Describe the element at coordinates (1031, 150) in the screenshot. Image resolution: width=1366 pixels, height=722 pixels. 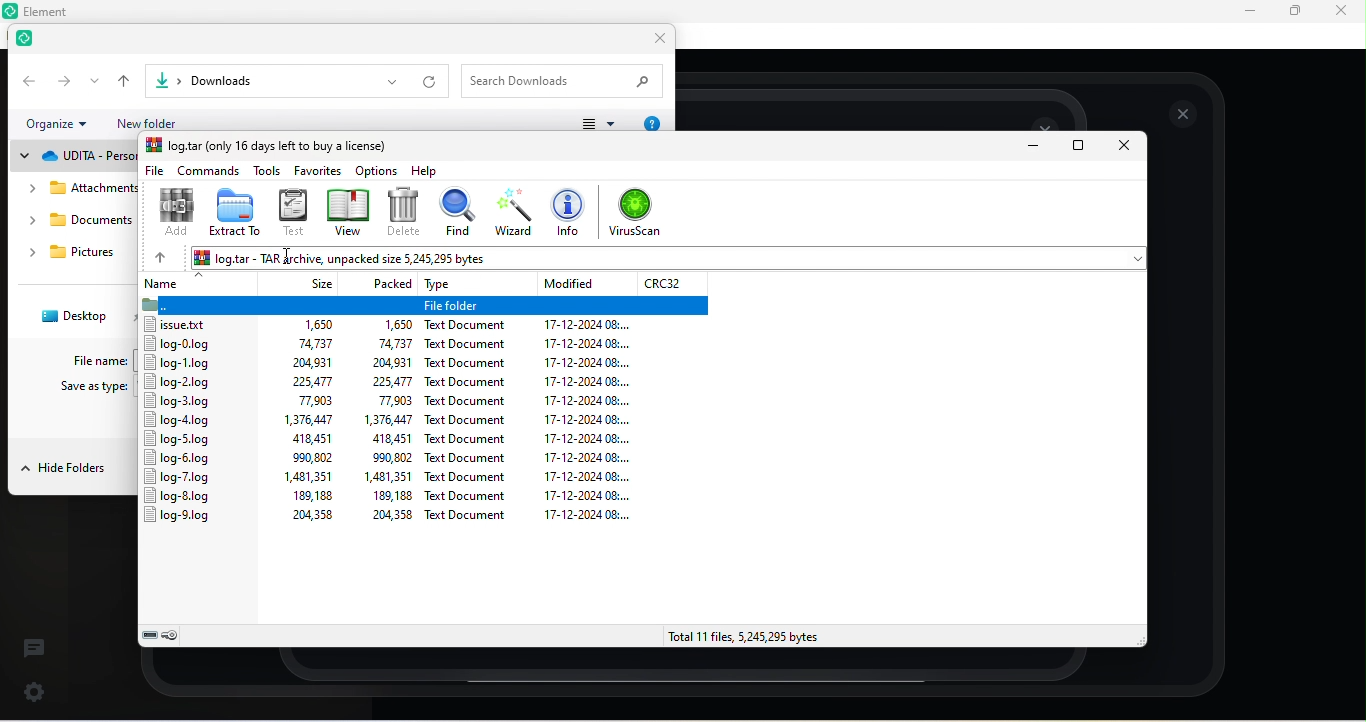
I see `minimize` at that location.